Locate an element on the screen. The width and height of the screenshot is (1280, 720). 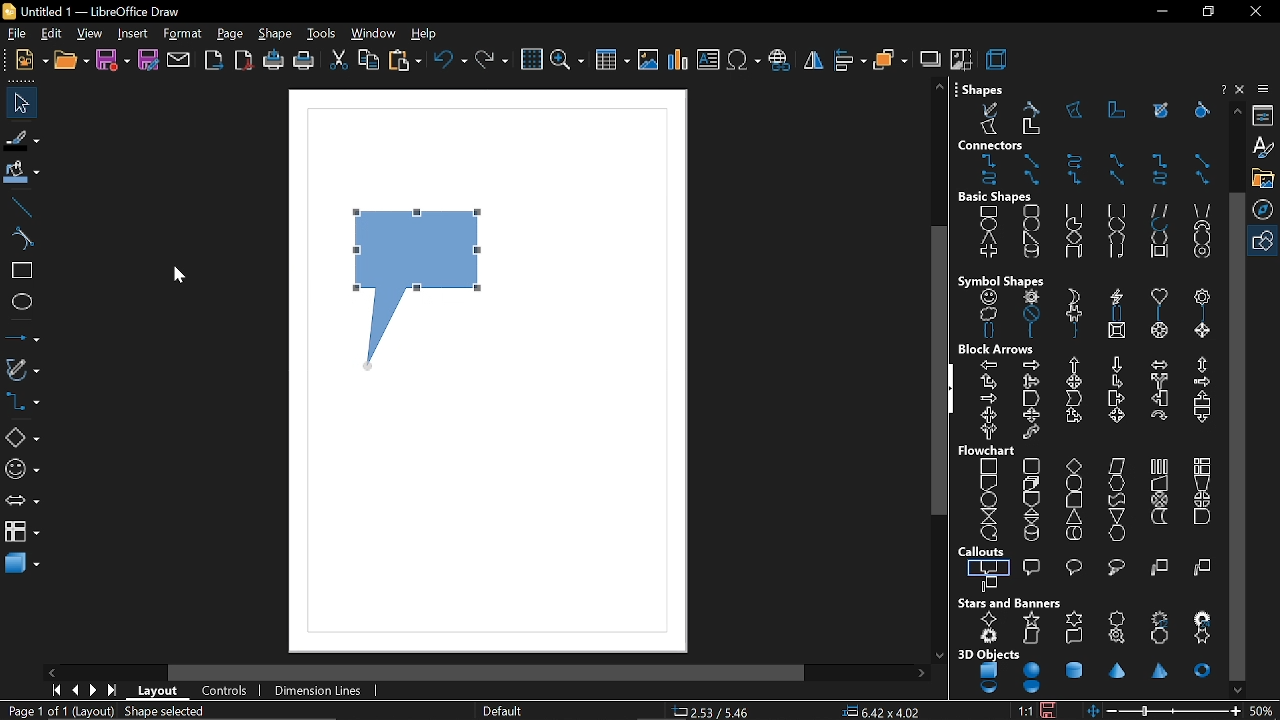
window is located at coordinates (374, 34).